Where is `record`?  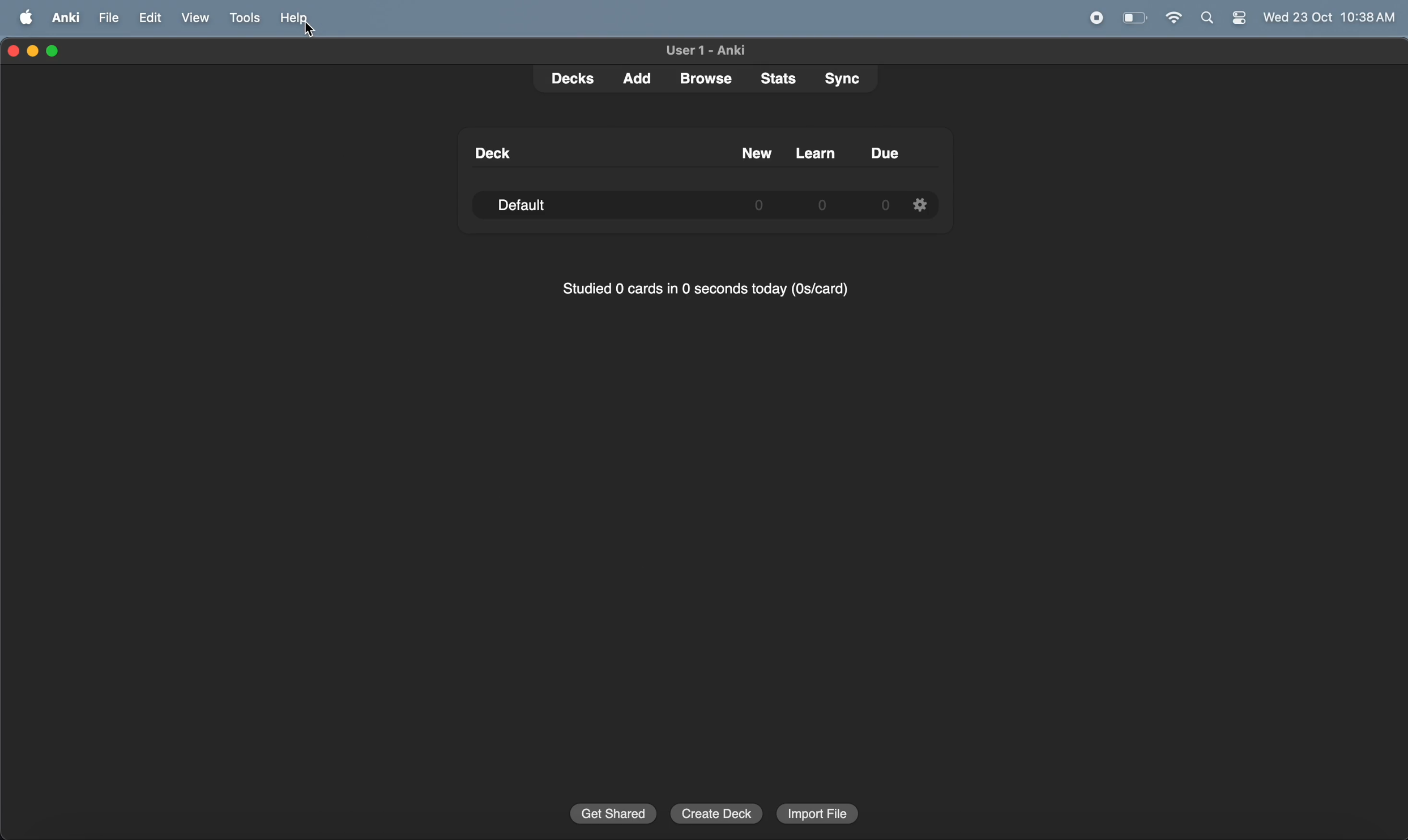 record is located at coordinates (1098, 18).